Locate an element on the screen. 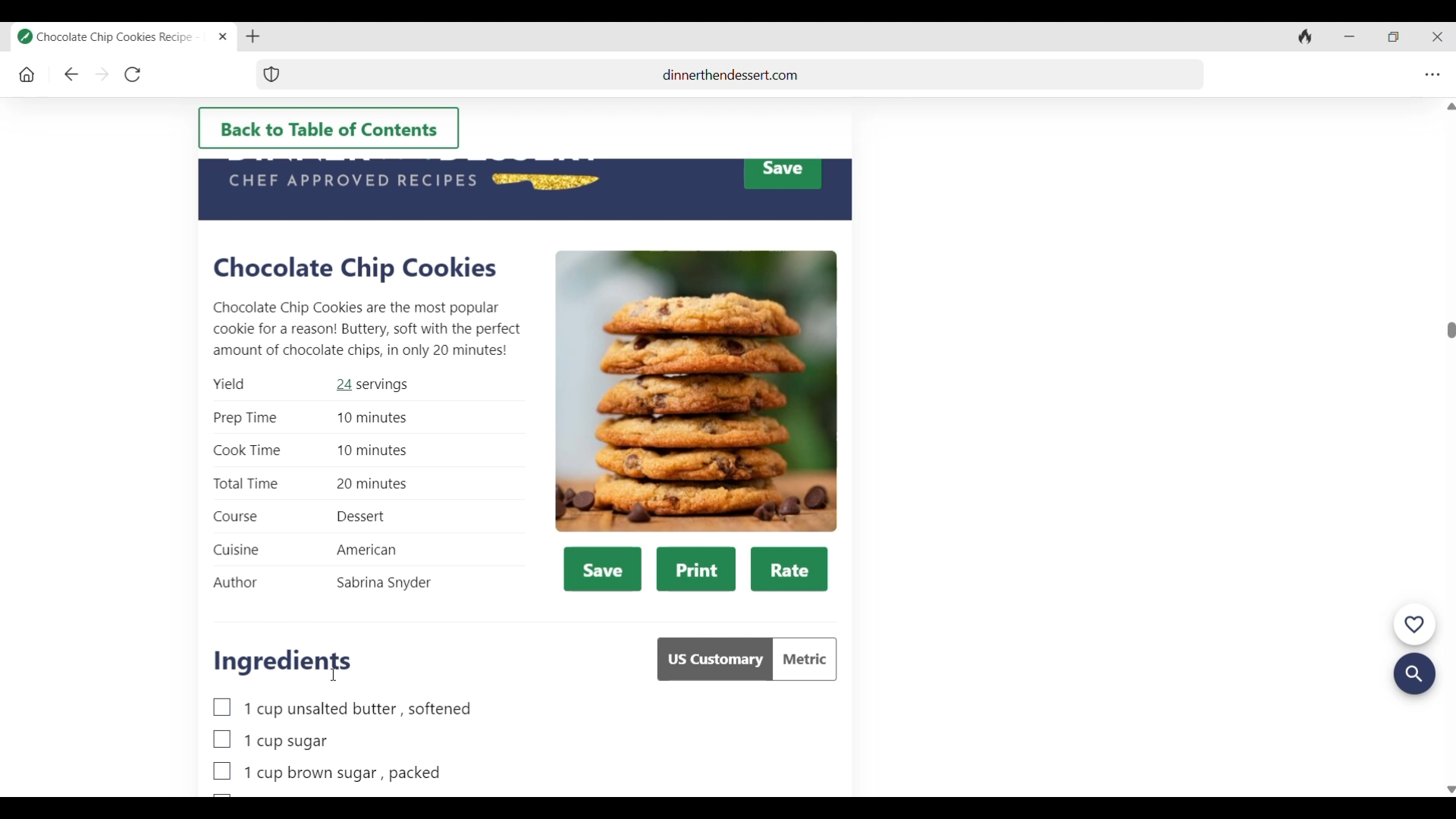 The width and height of the screenshot is (1456, 819). 1 cup sugar is located at coordinates (271, 740).